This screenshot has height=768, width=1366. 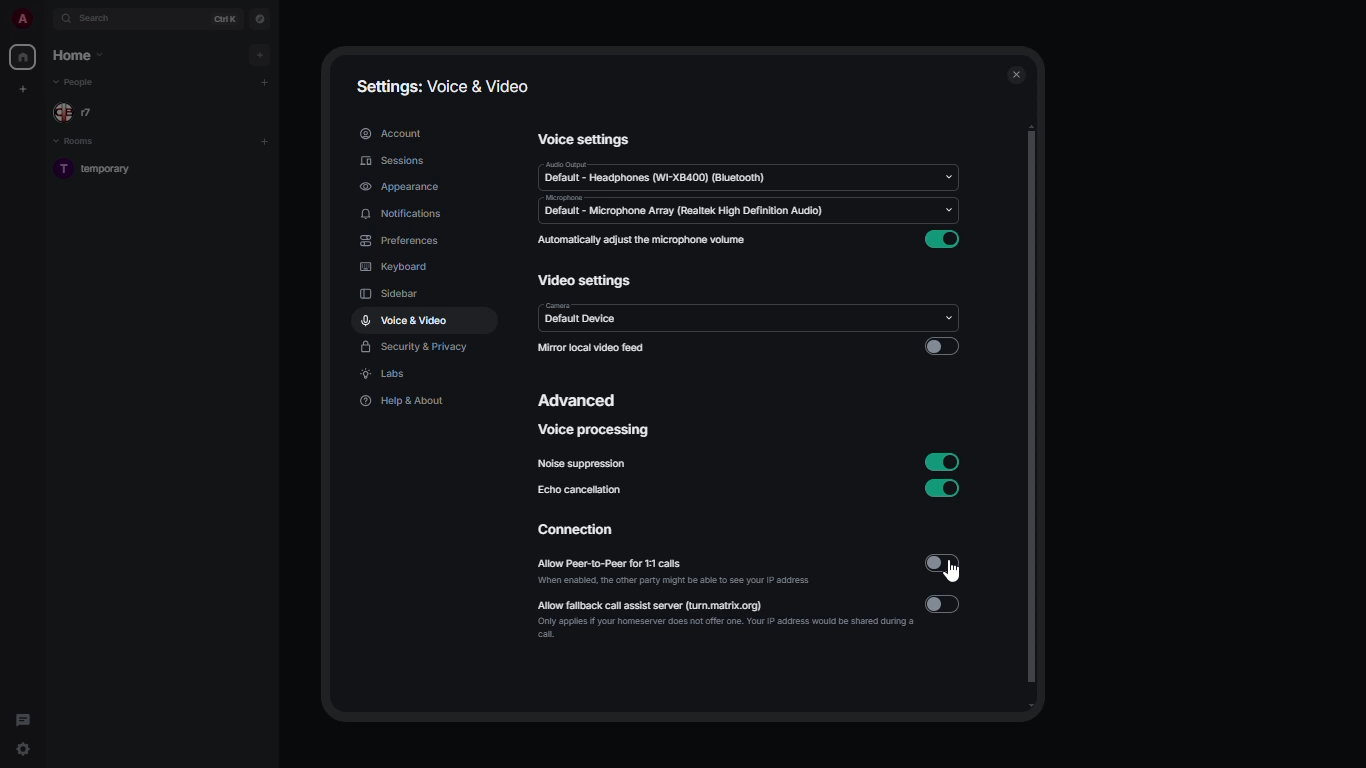 I want to click on help & about, so click(x=401, y=400).